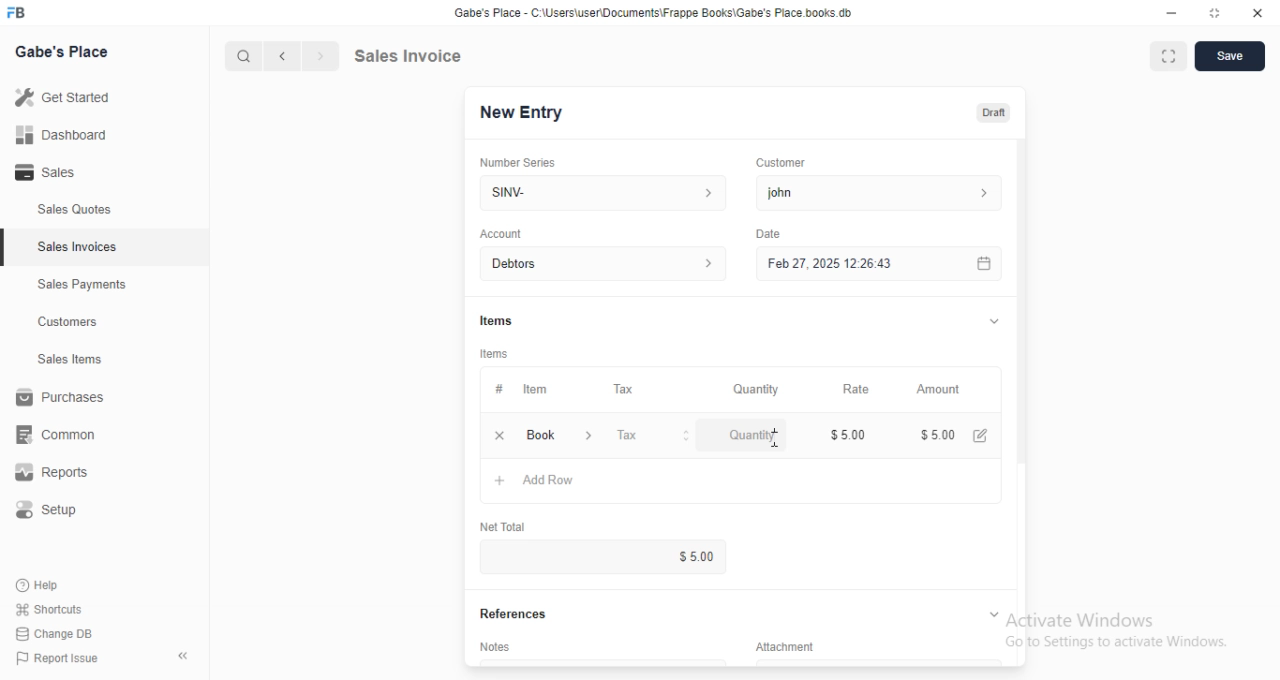 The height and width of the screenshot is (680, 1280). What do you see at coordinates (65, 52) in the screenshot?
I see `Gabe's Place` at bounding box center [65, 52].